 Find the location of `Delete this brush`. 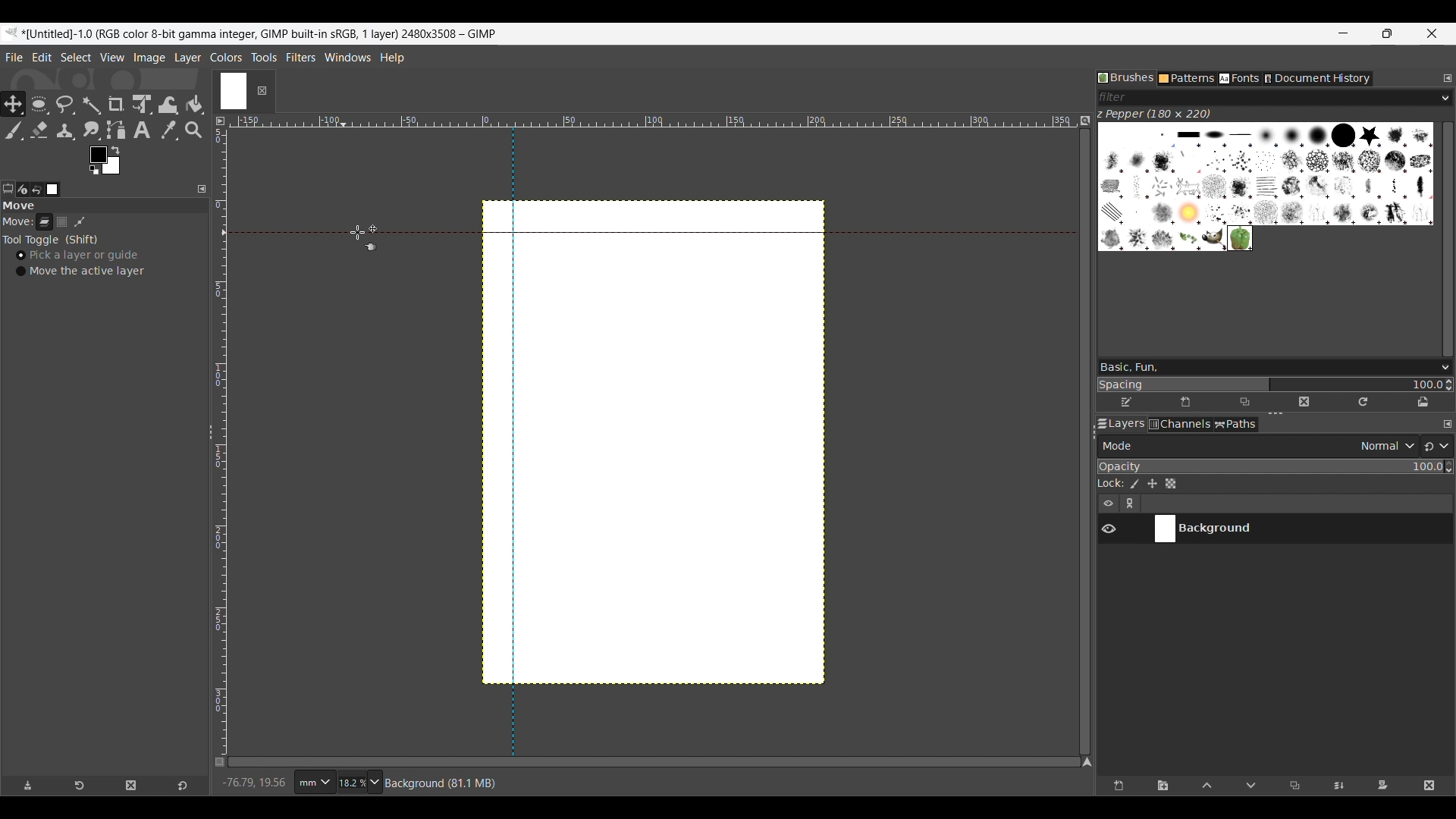

Delete this brush is located at coordinates (1304, 403).